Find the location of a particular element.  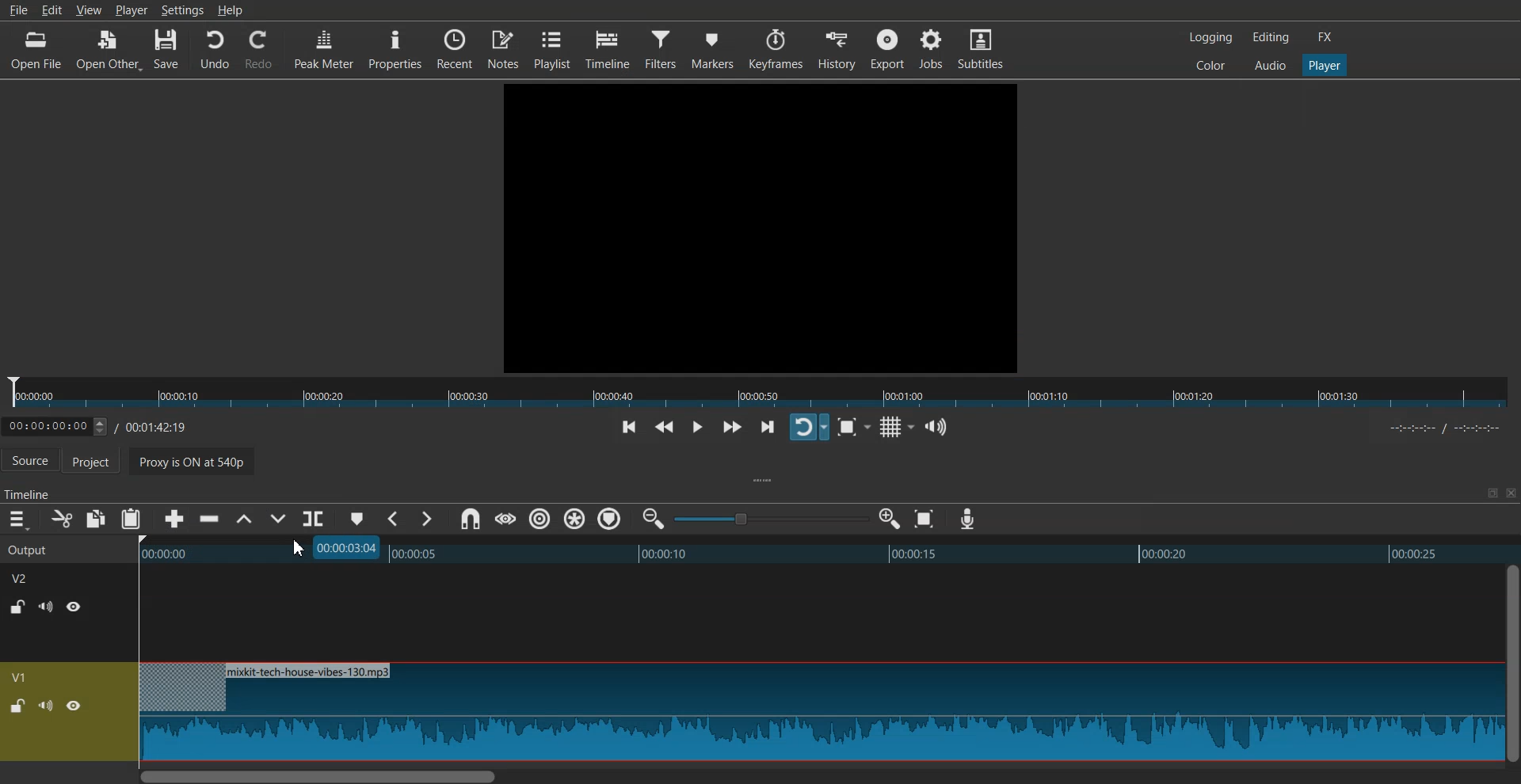

Lift is located at coordinates (243, 519).